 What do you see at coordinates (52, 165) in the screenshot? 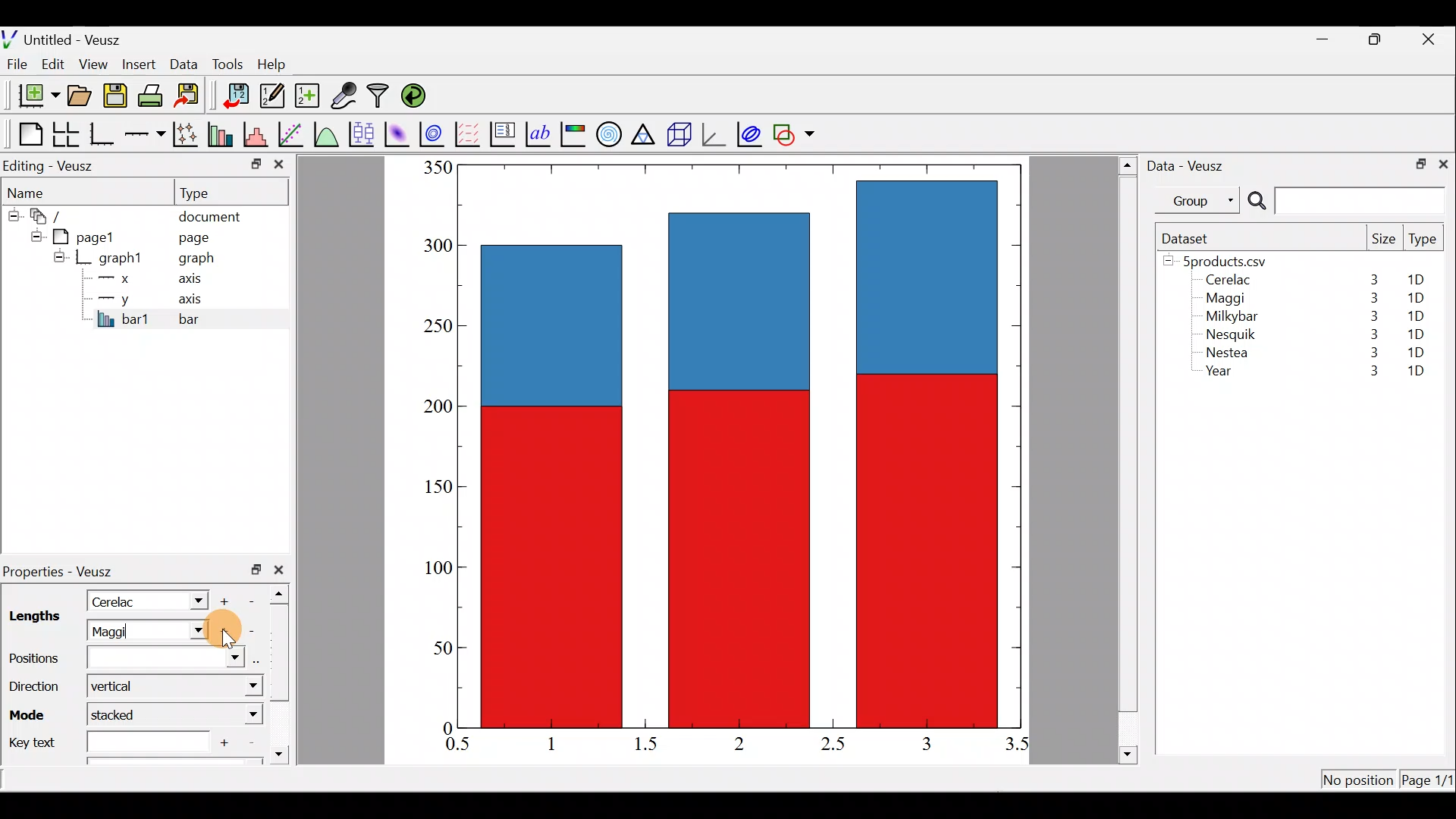
I see `Editing - Veusz` at bounding box center [52, 165].